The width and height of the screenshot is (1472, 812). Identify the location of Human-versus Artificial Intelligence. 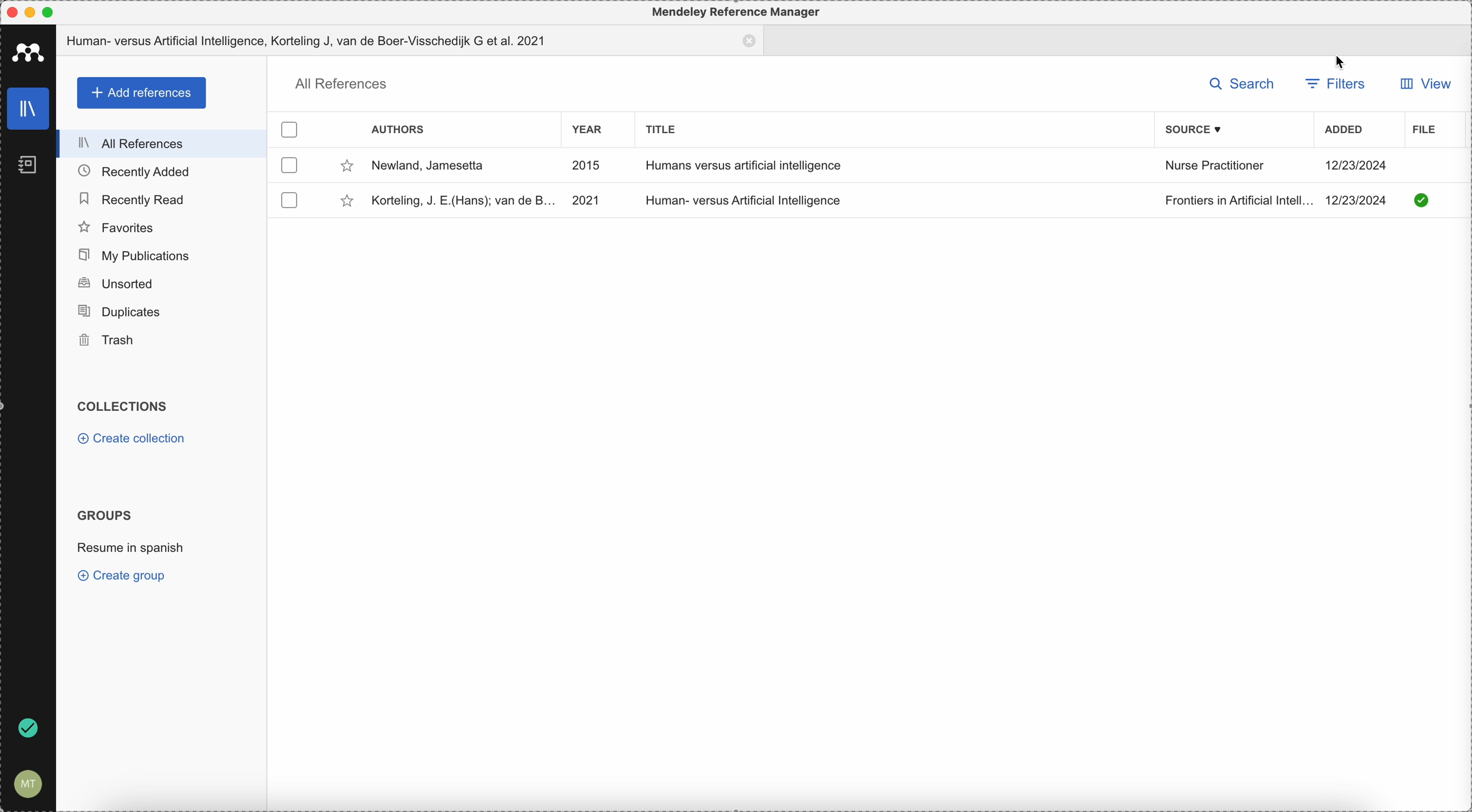
(747, 198).